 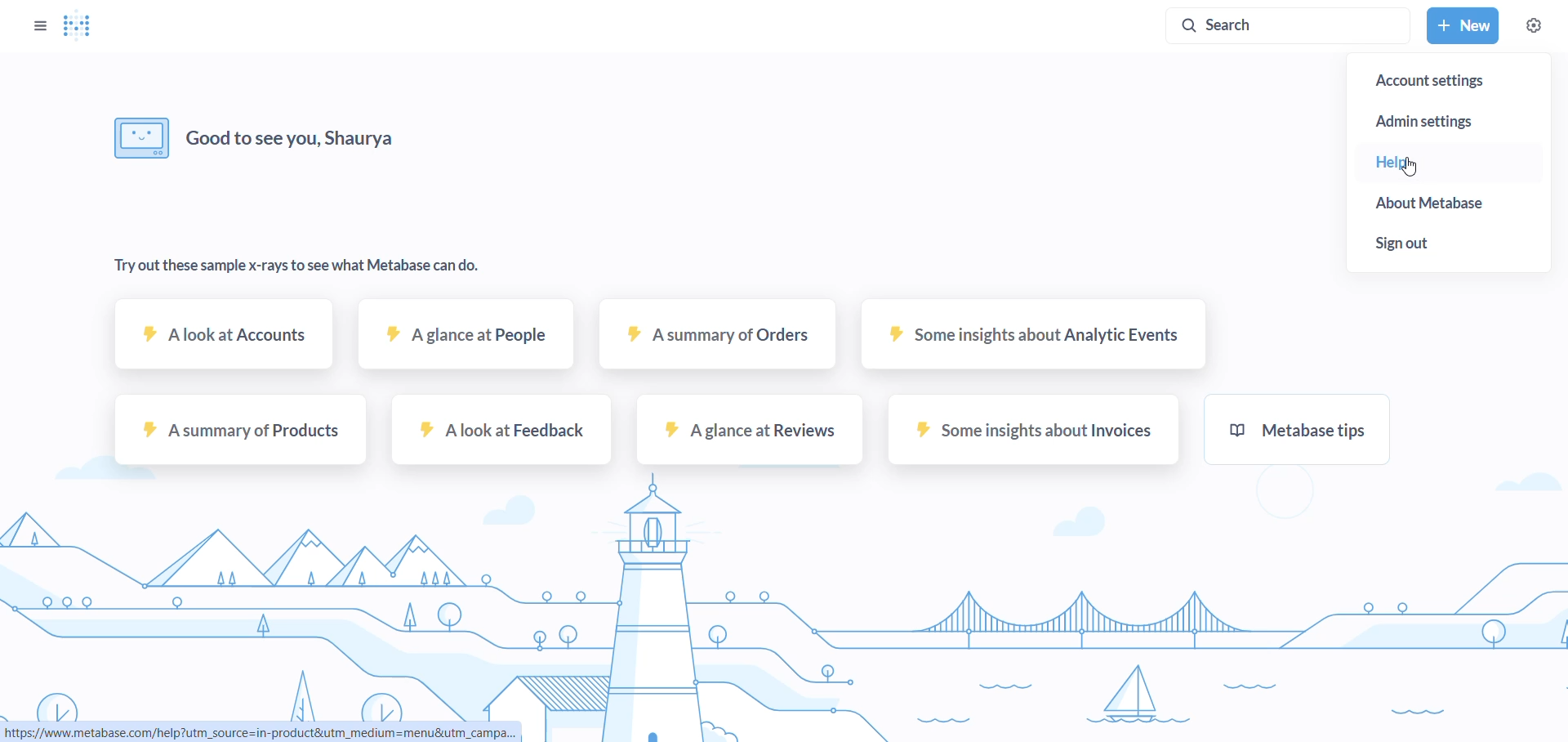 I want to click on some insights about invoices sample, so click(x=1033, y=435).